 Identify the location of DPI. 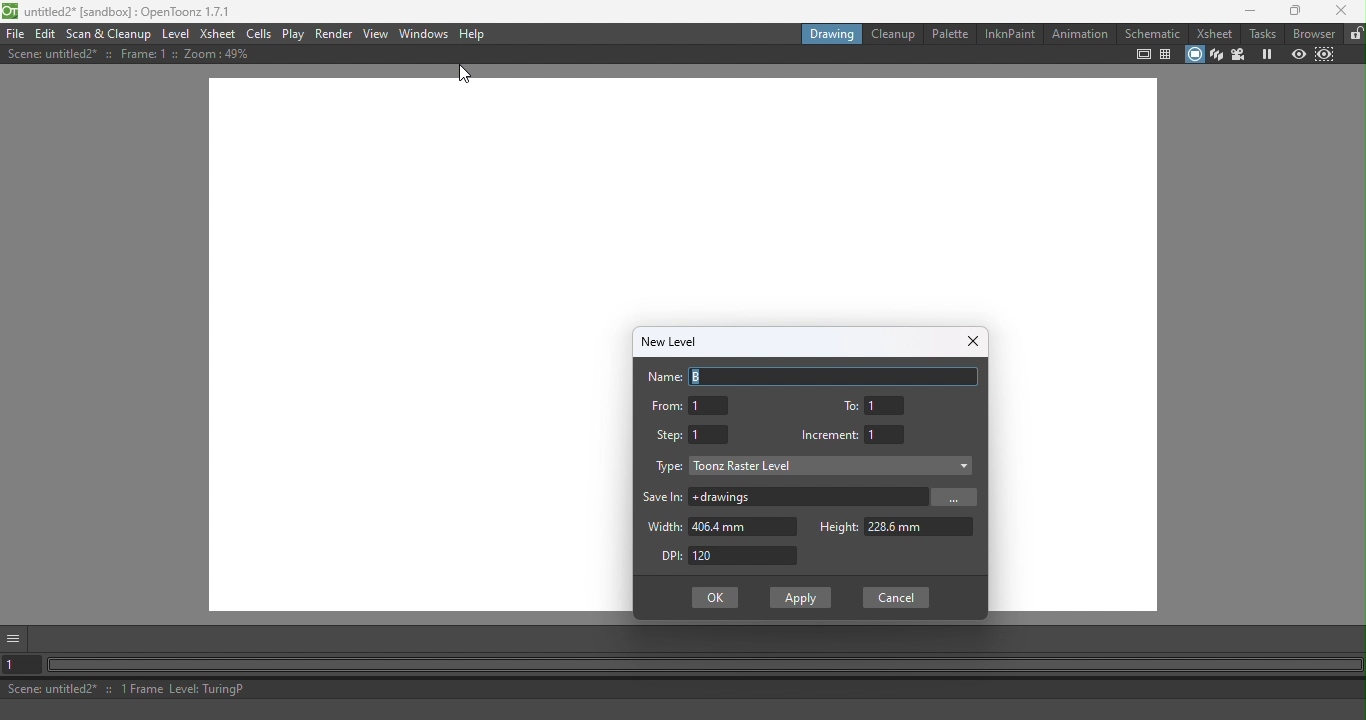
(668, 555).